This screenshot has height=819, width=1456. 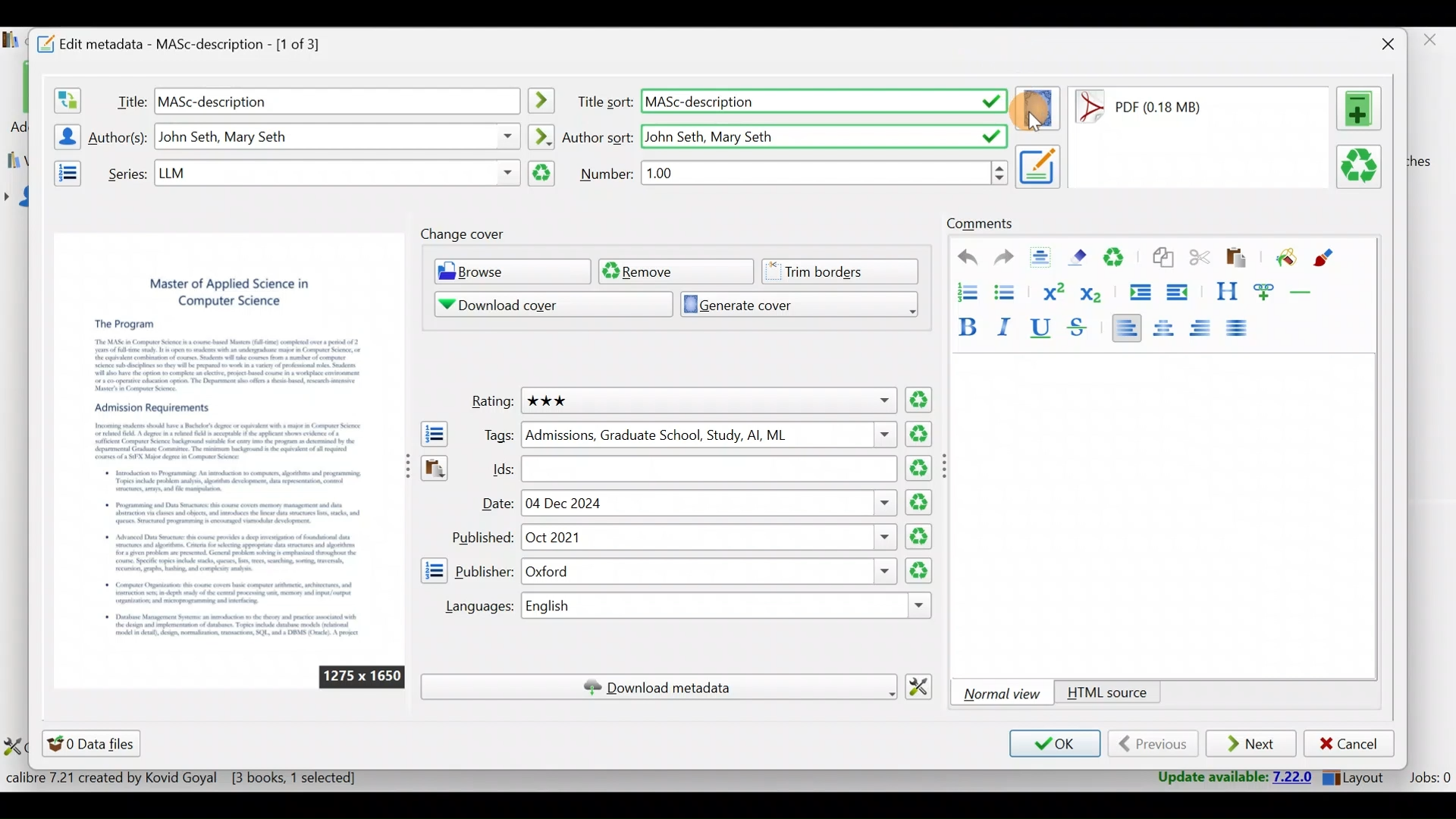 What do you see at coordinates (598, 136) in the screenshot?
I see `Author sort` at bounding box center [598, 136].